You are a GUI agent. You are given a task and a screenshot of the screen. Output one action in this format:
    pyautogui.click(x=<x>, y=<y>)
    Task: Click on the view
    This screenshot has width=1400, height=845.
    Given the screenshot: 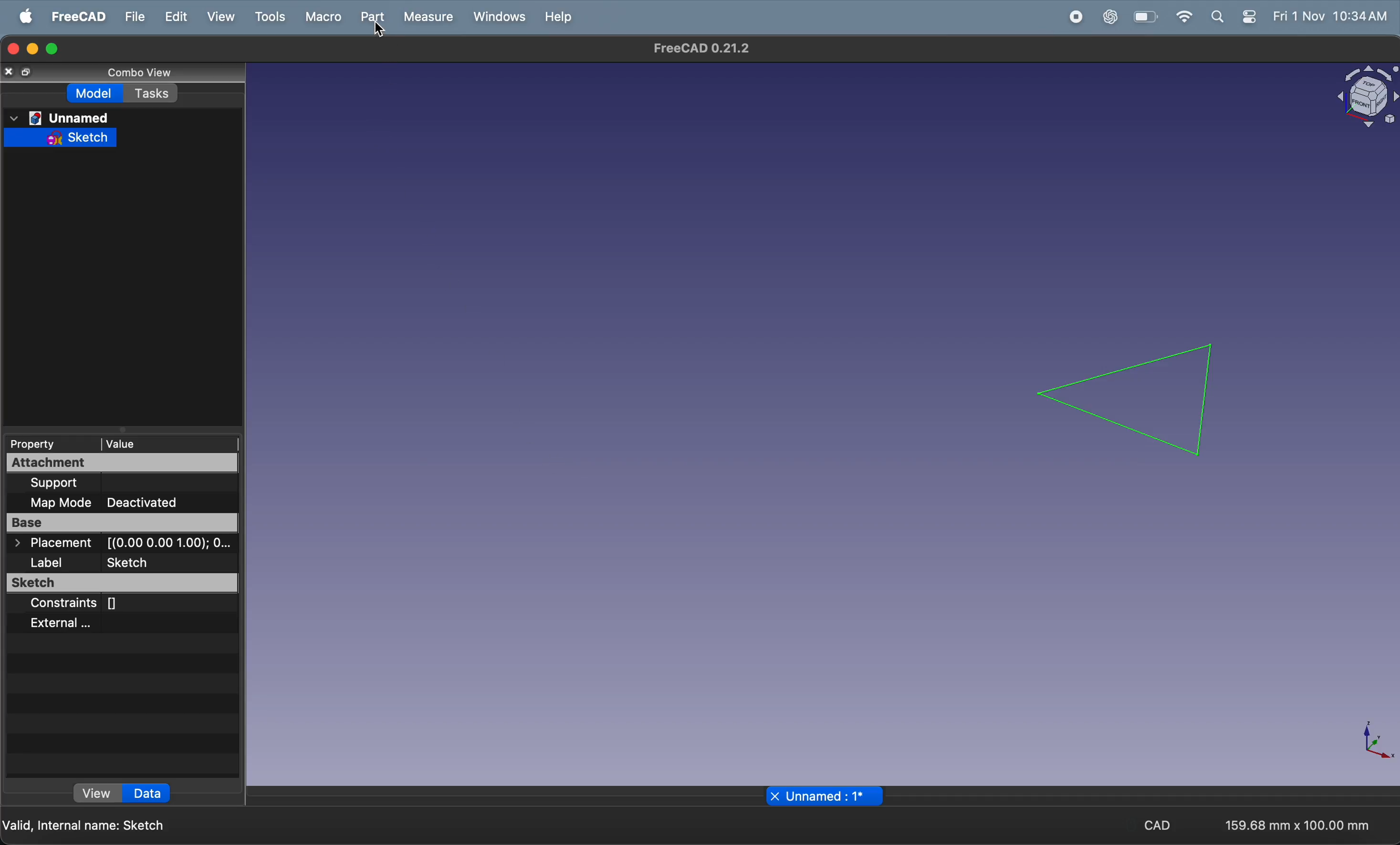 What is the action you would take?
    pyautogui.click(x=223, y=16)
    